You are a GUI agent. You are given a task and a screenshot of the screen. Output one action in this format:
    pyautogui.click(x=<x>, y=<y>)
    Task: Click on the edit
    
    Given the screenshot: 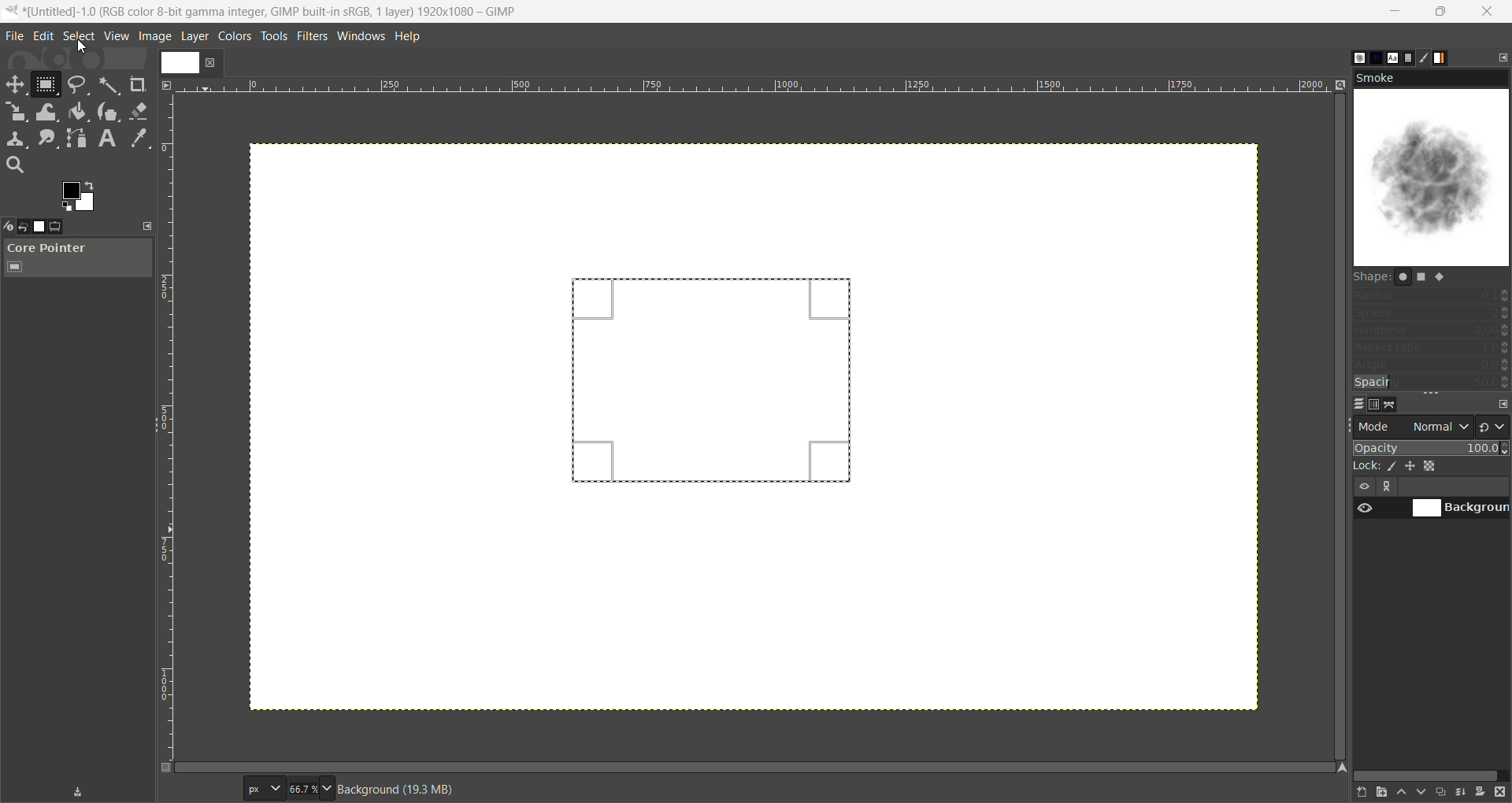 What is the action you would take?
    pyautogui.click(x=44, y=35)
    